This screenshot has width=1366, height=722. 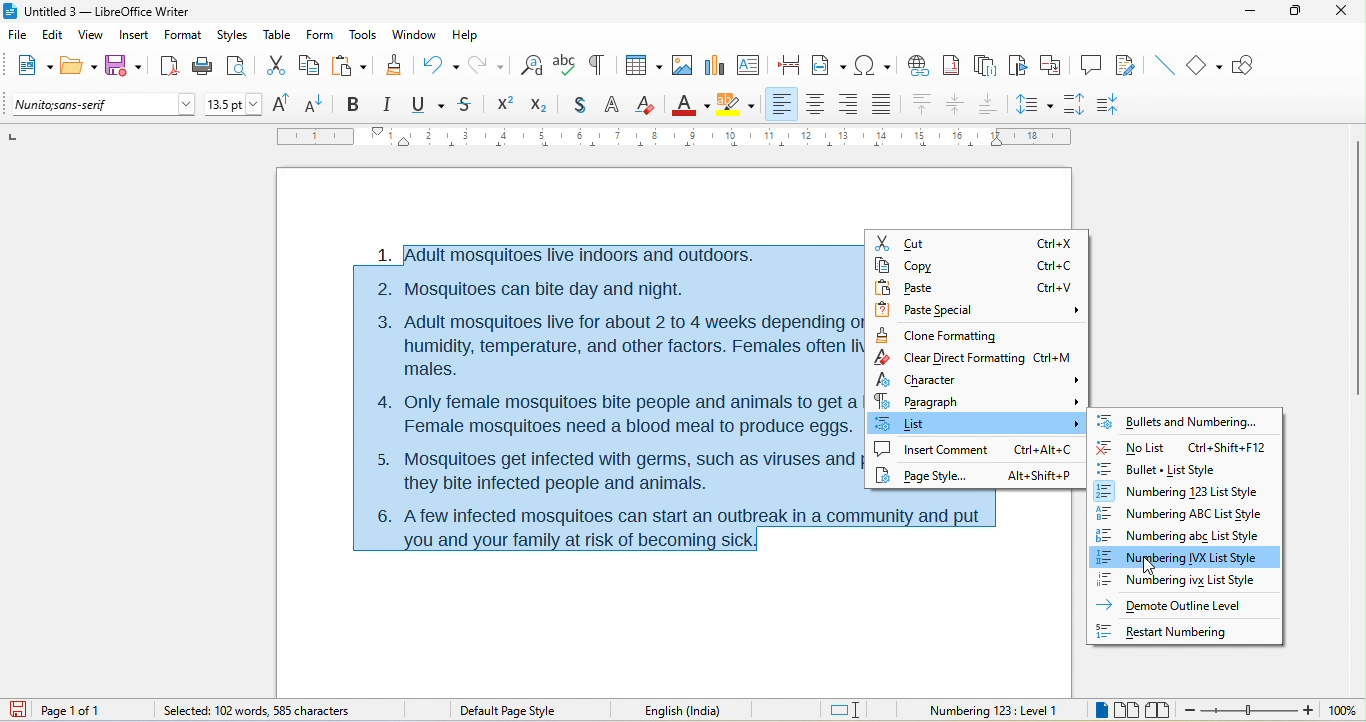 What do you see at coordinates (502, 106) in the screenshot?
I see `Superscript` at bounding box center [502, 106].